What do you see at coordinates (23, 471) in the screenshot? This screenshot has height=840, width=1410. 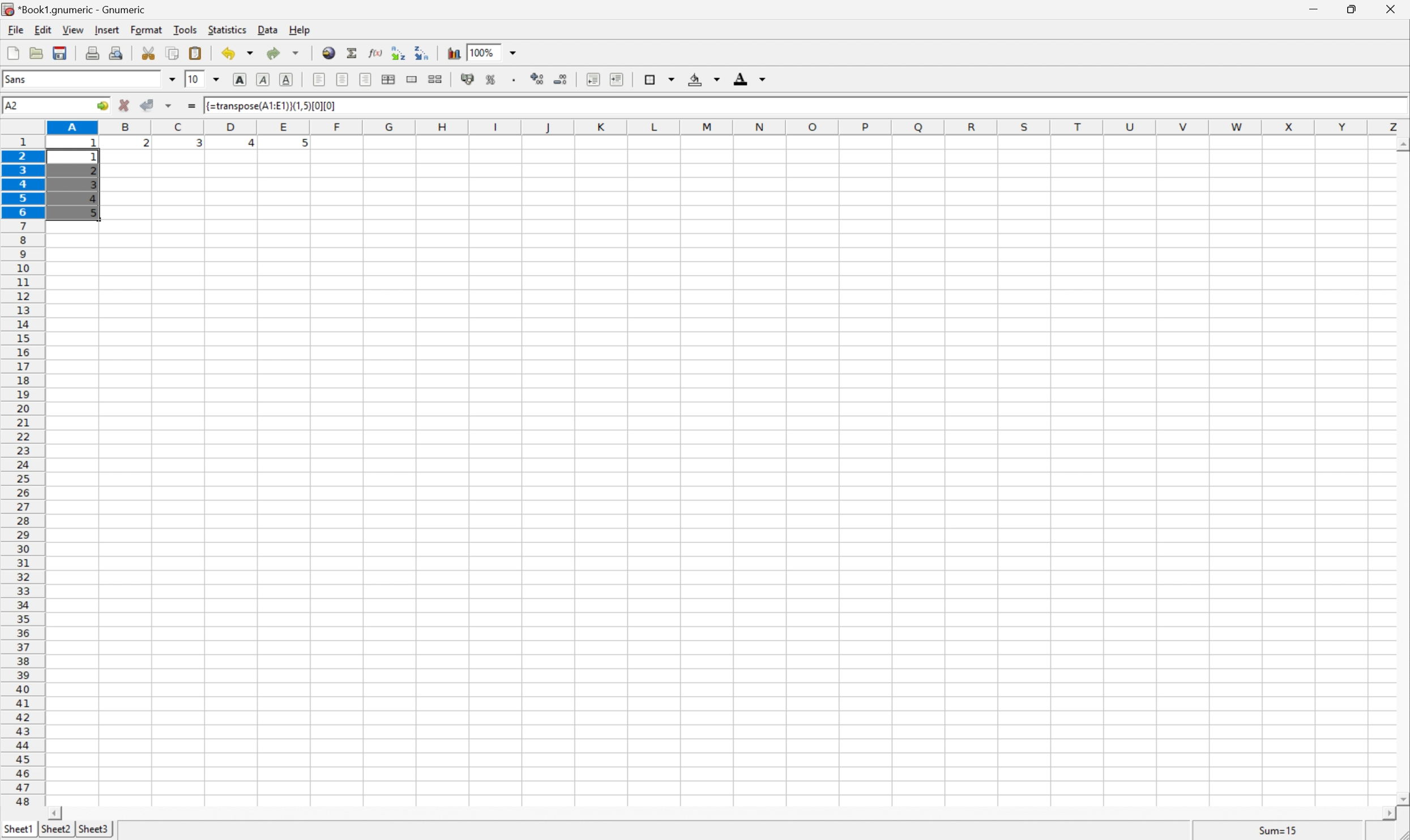 I see `row numbers` at bounding box center [23, 471].